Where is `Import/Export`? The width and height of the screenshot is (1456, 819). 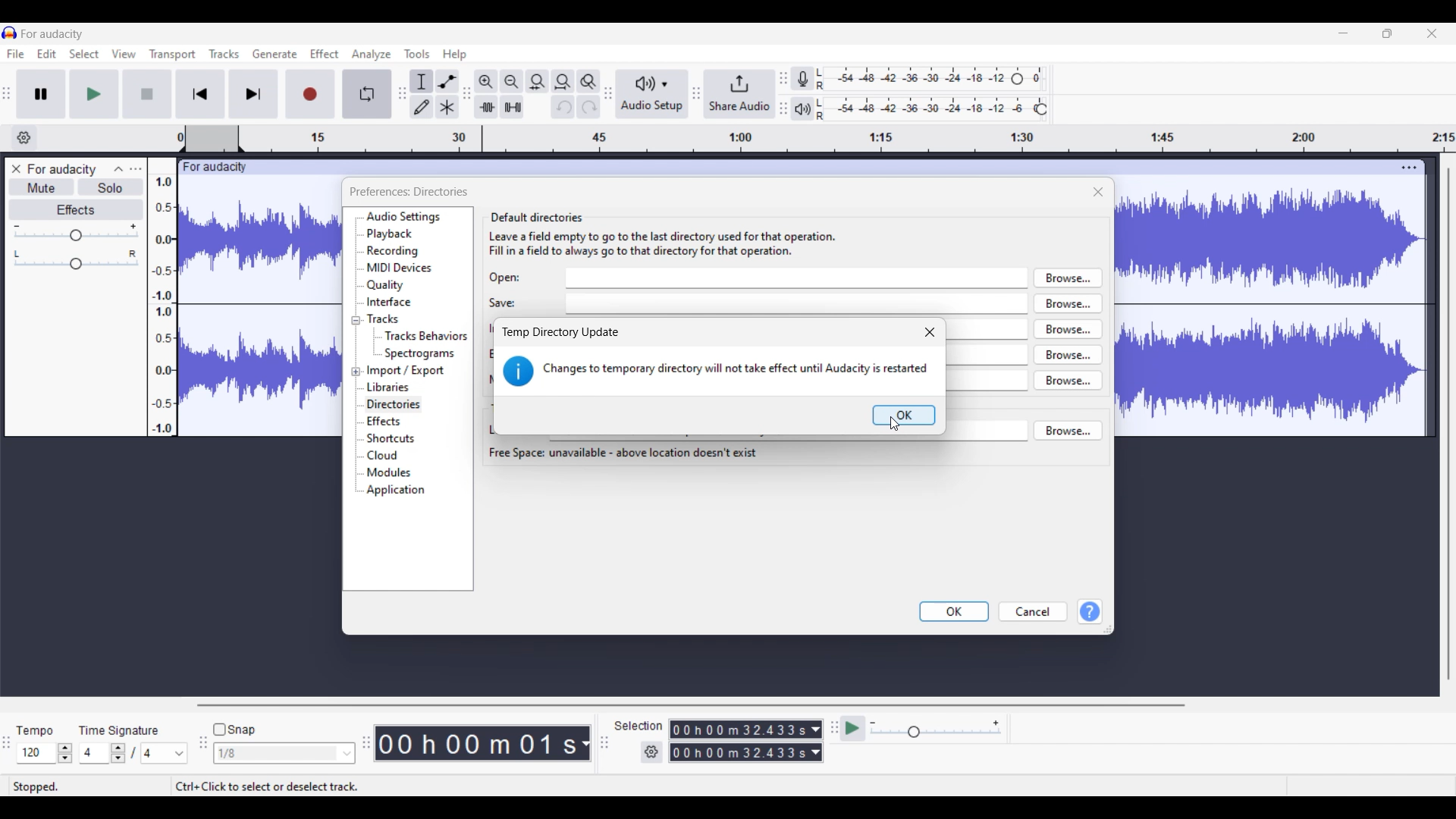
Import/Export is located at coordinates (407, 370).